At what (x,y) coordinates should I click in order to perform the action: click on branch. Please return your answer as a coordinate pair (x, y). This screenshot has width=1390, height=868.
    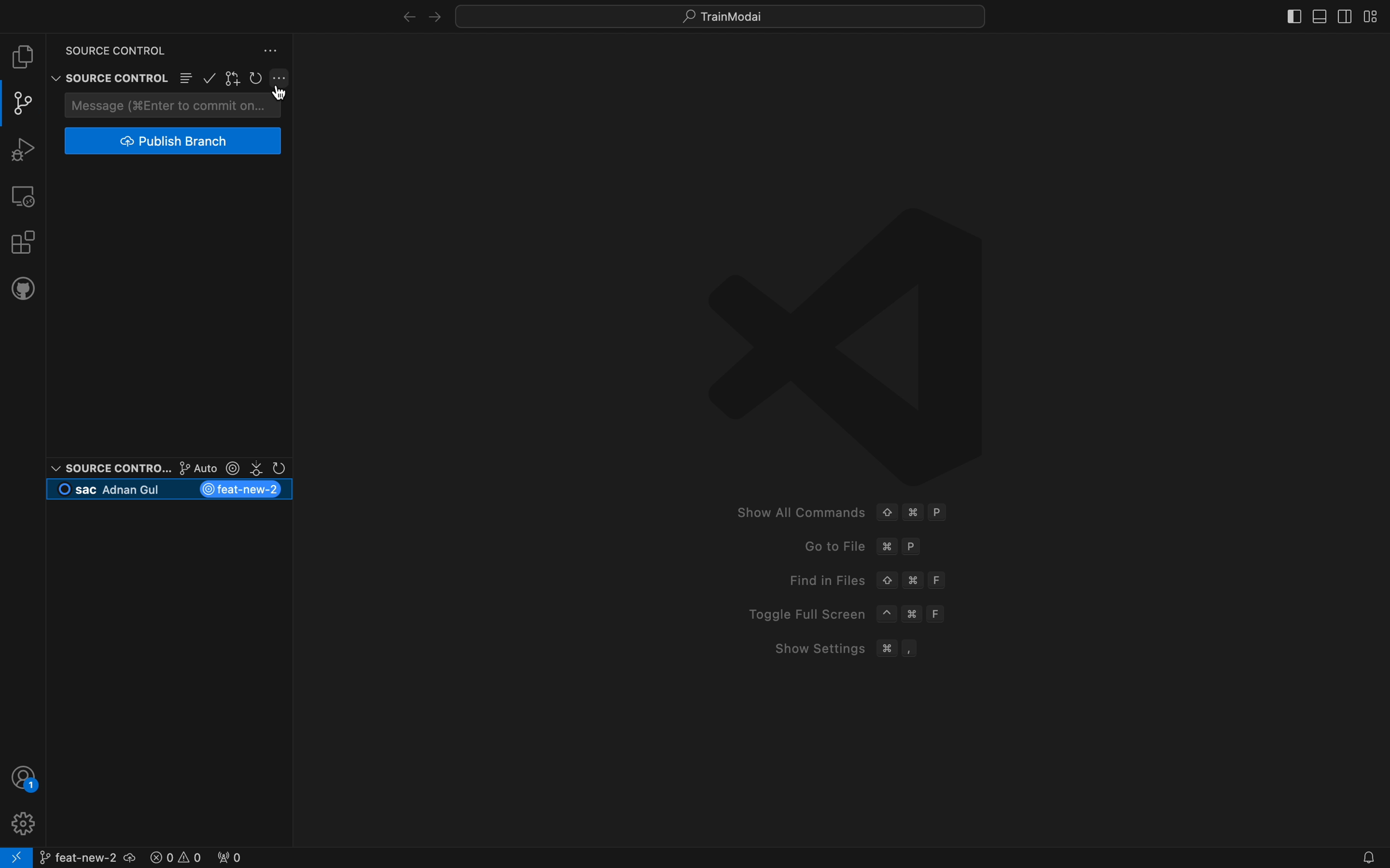
    Looking at the image, I should click on (94, 855).